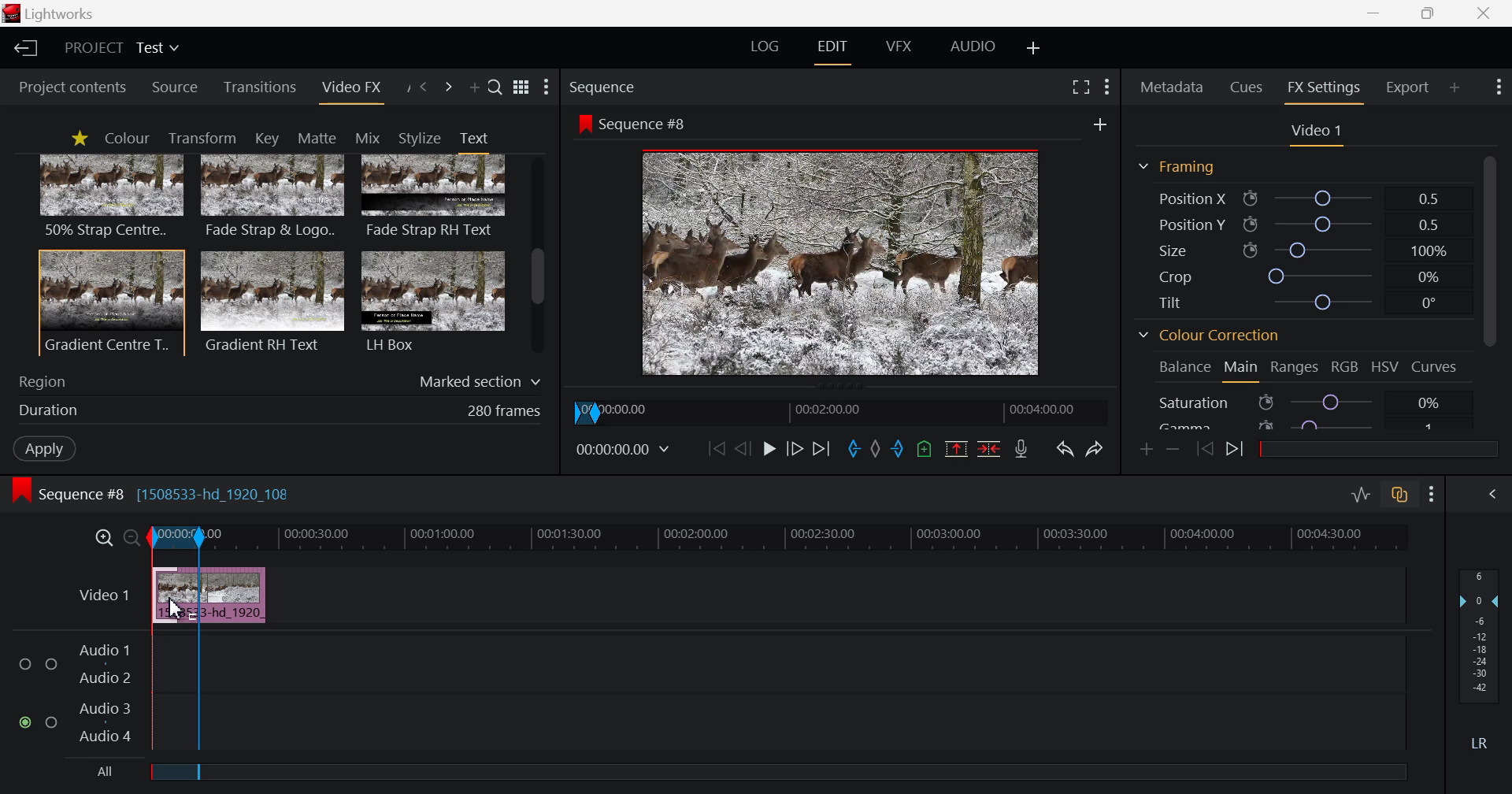  What do you see at coordinates (71, 87) in the screenshot?
I see `Project contents` at bounding box center [71, 87].